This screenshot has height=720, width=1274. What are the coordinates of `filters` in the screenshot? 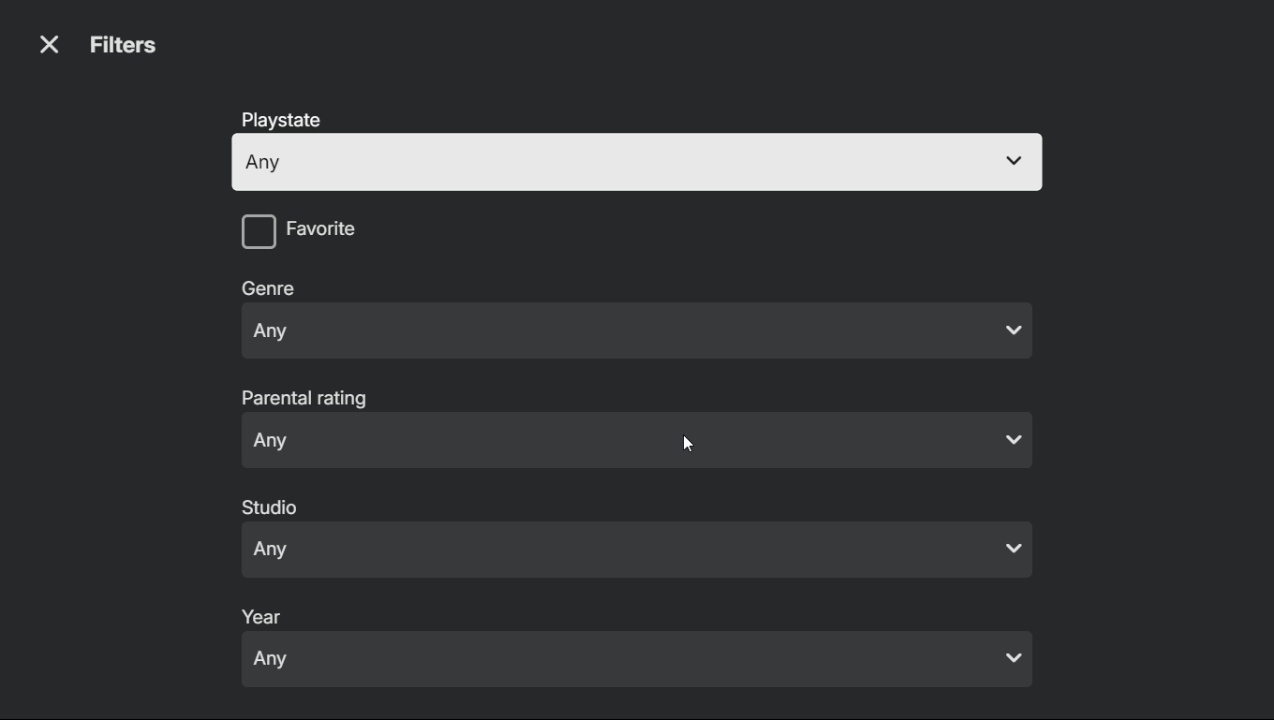 It's located at (124, 45).